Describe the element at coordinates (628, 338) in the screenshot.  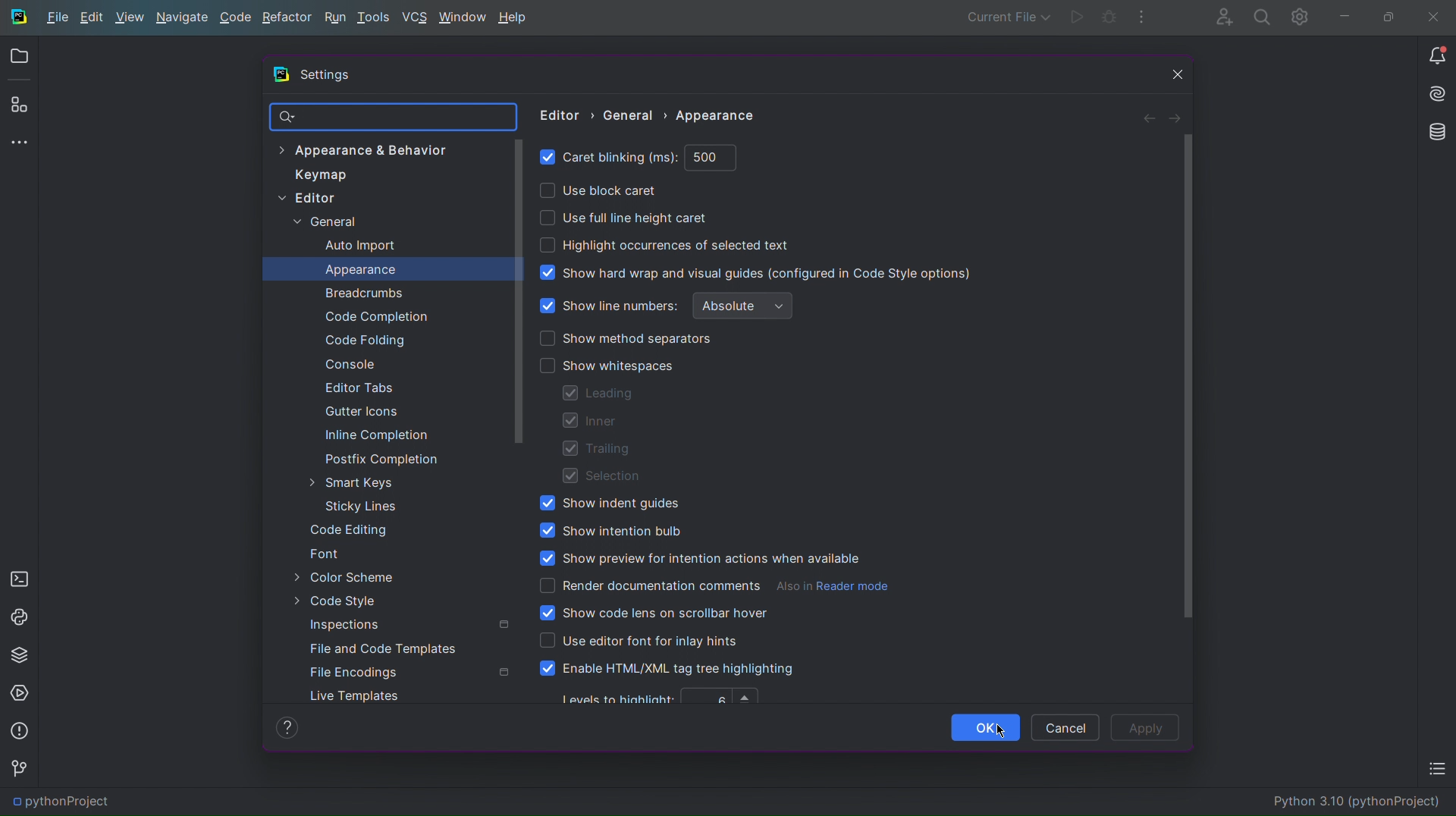
I see `Show method separators` at that location.